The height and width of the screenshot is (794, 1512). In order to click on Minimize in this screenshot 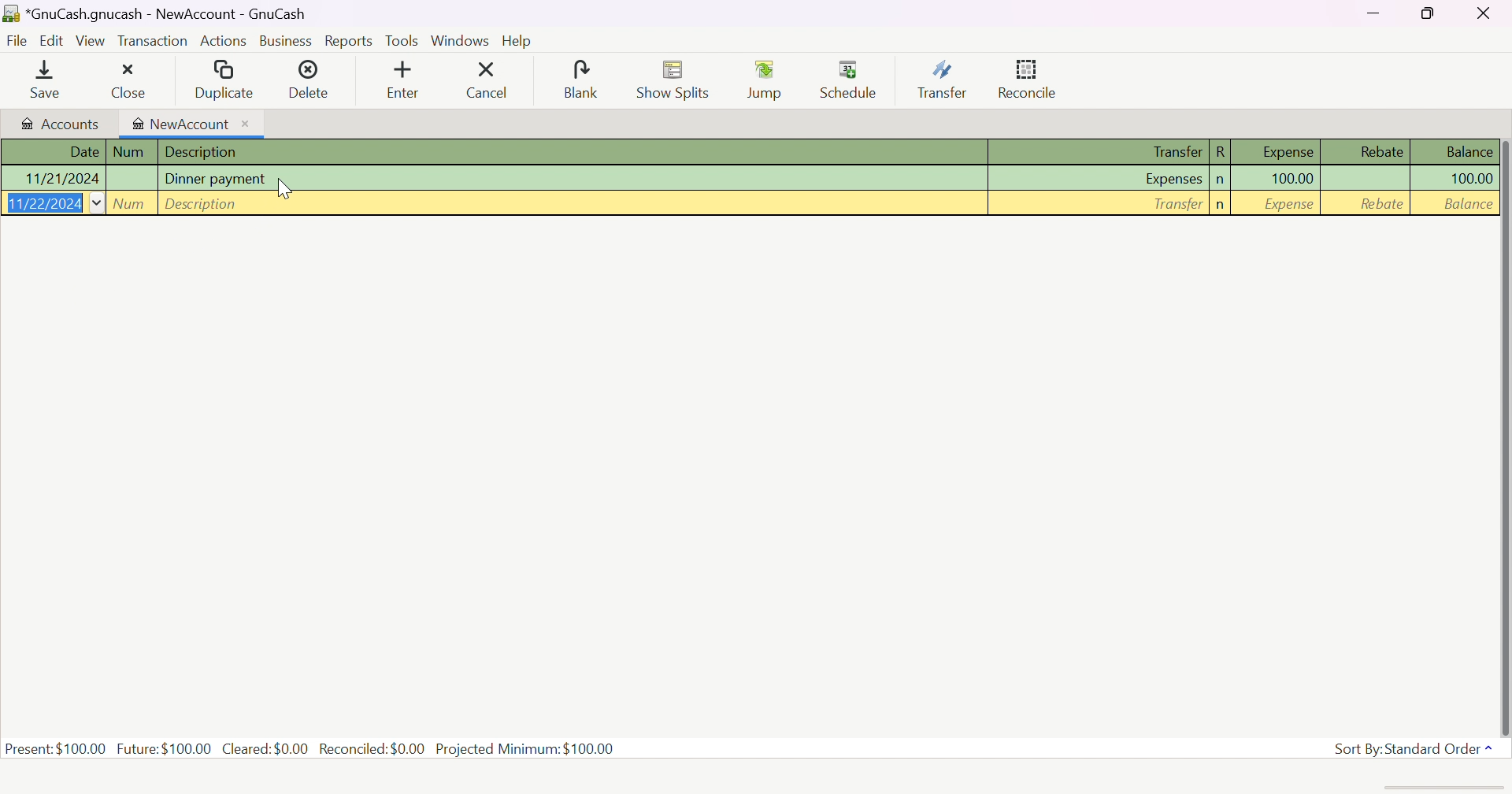, I will do `click(1373, 11)`.